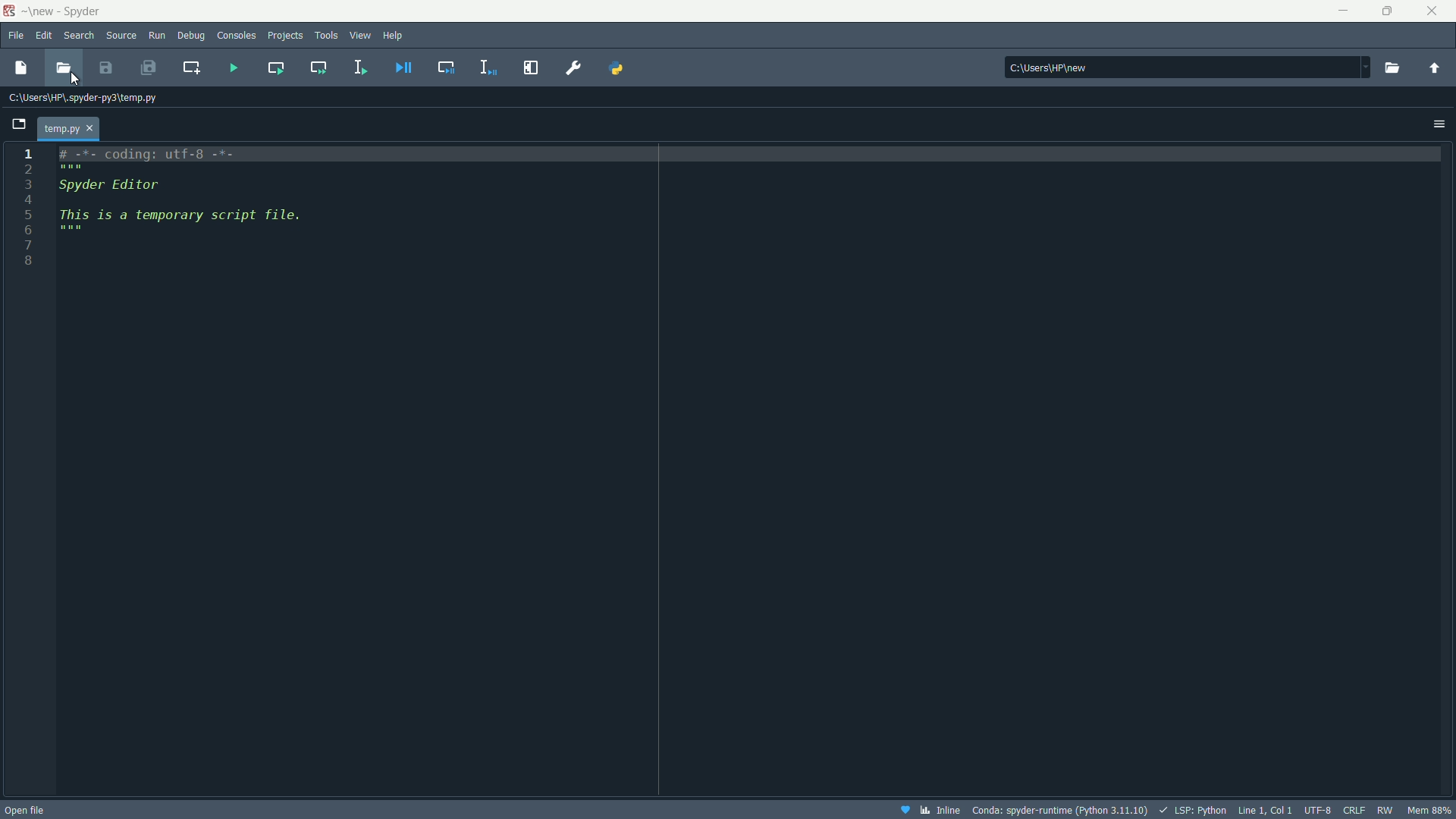 This screenshot has width=1456, height=819. Describe the element at coordinates (231, 67) in the screenshot. I see `Run file` at that location.